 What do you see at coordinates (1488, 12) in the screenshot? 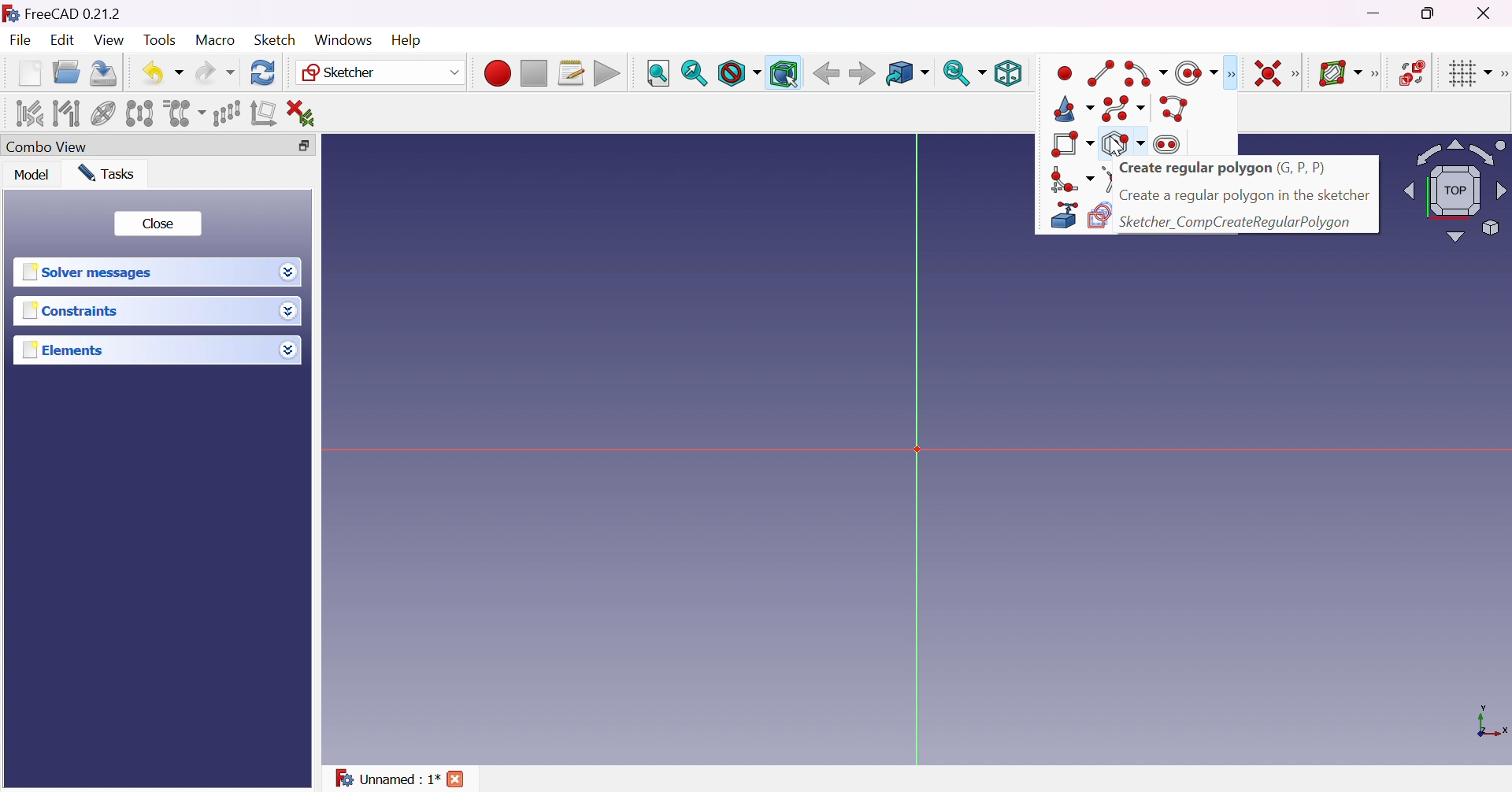
I see `Close` at bounding box center [1488, 12].